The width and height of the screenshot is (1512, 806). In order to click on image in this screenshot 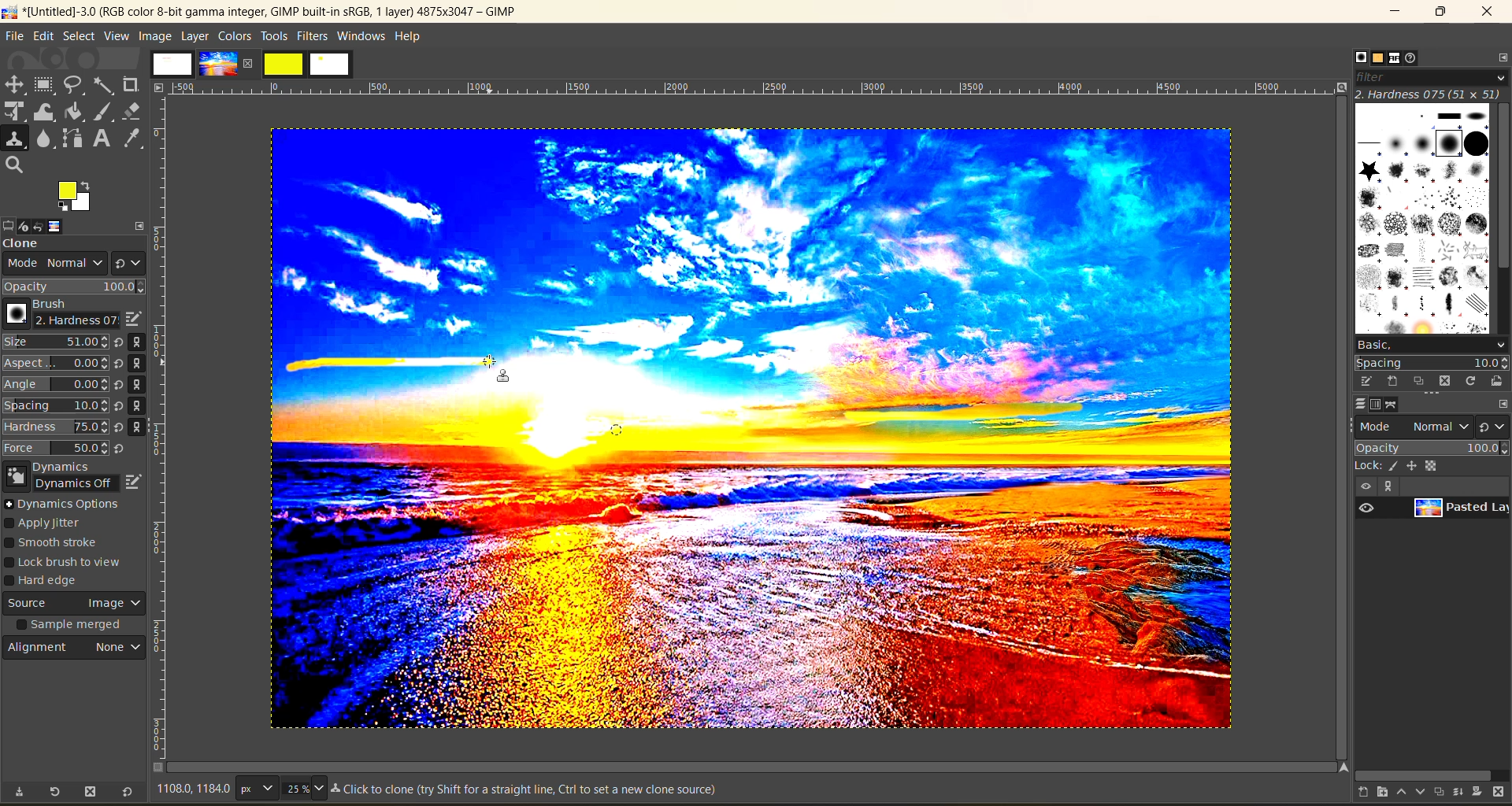, I will do `click(154, 35)`.